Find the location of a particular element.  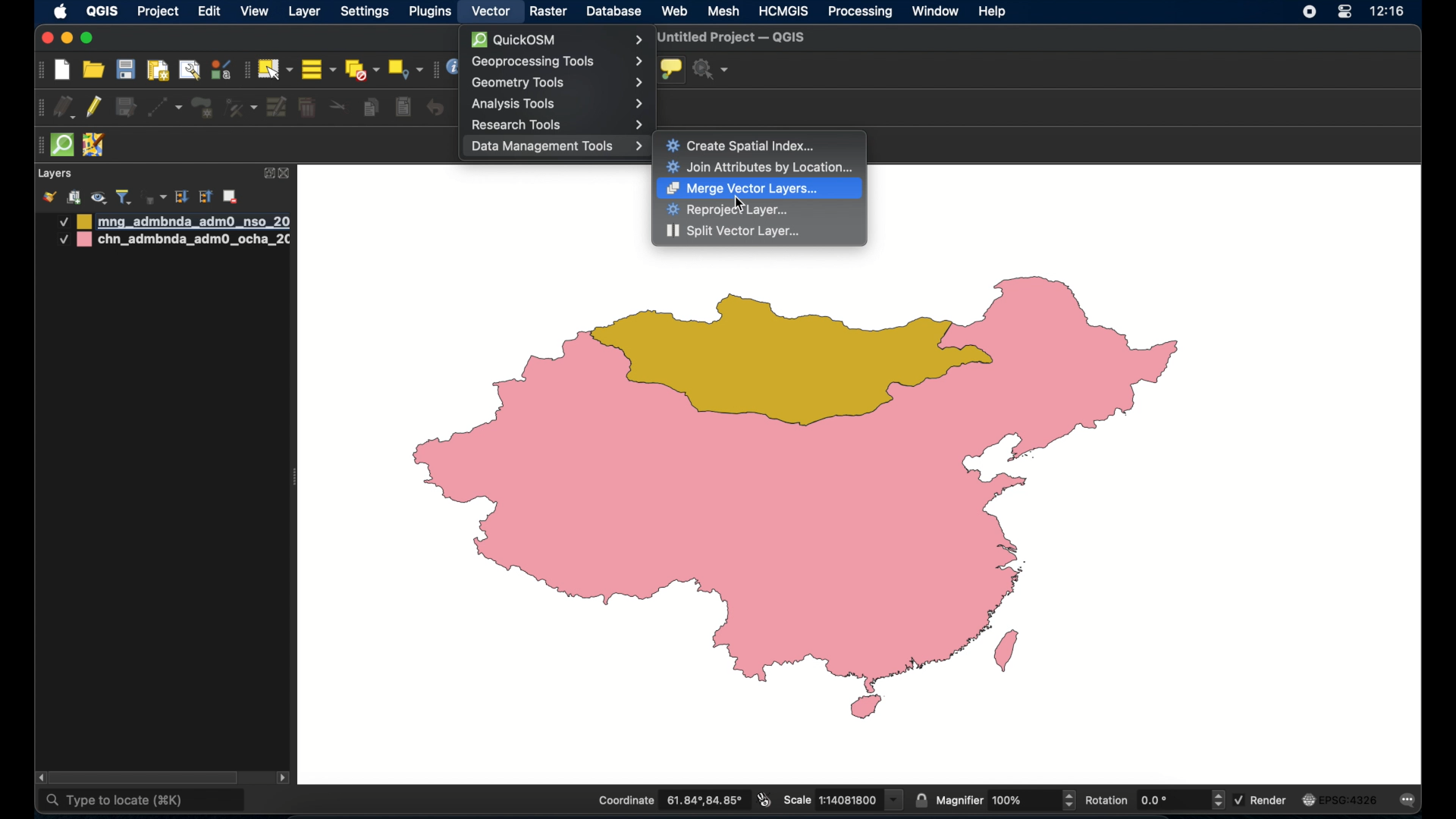

paste features is located at coordinates (402, 106).